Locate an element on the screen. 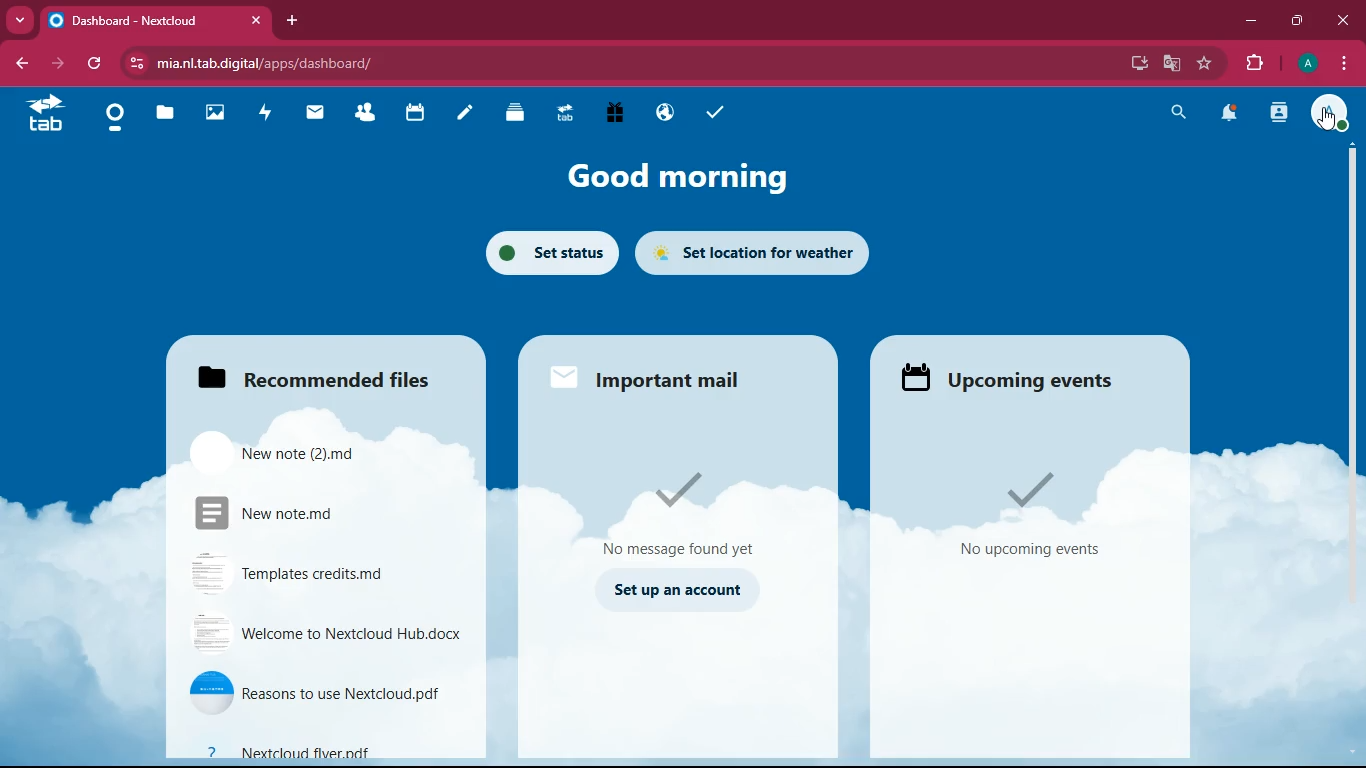  mail is located at coordinates (316, 112).